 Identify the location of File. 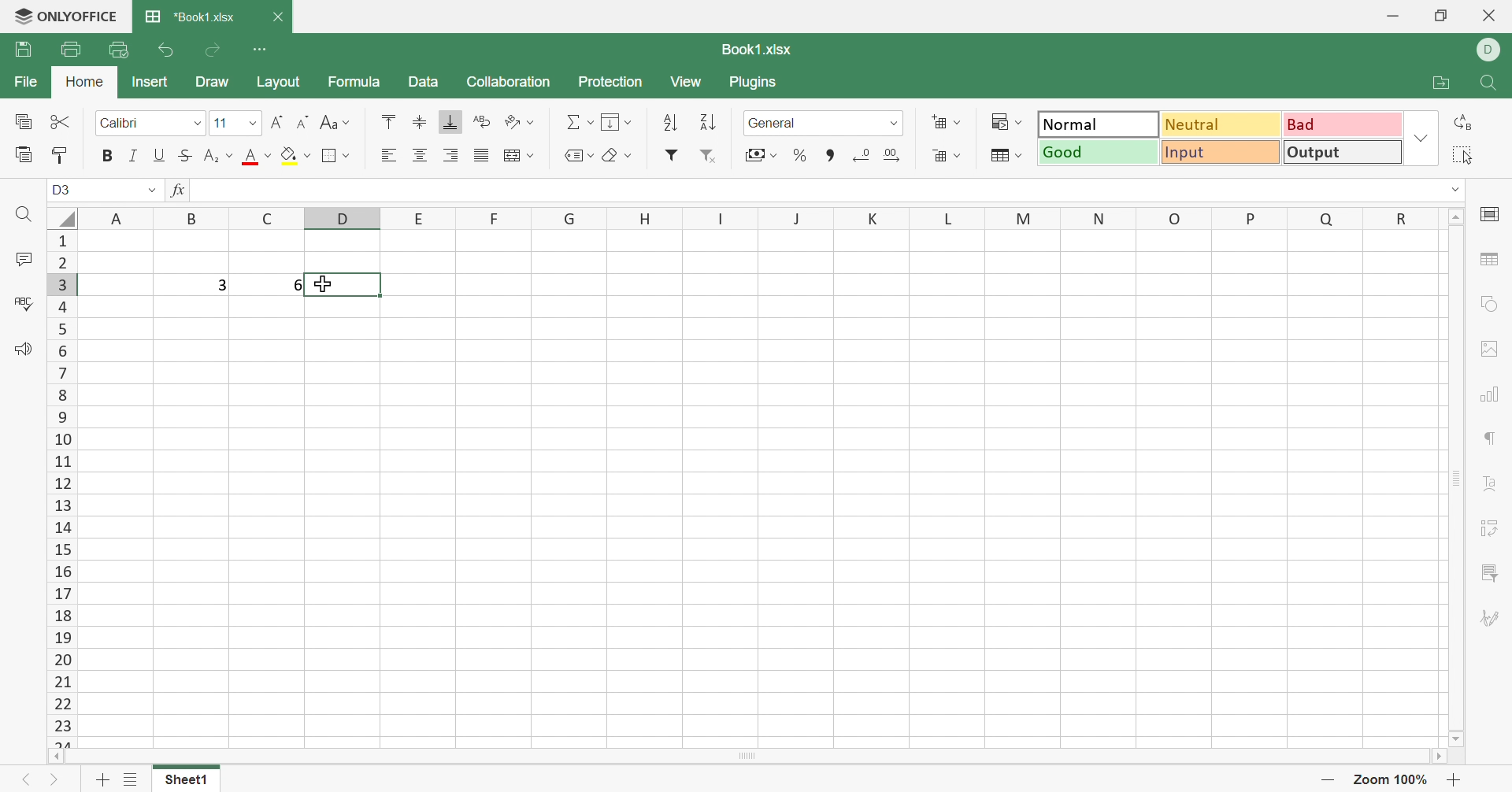
(29, 82).